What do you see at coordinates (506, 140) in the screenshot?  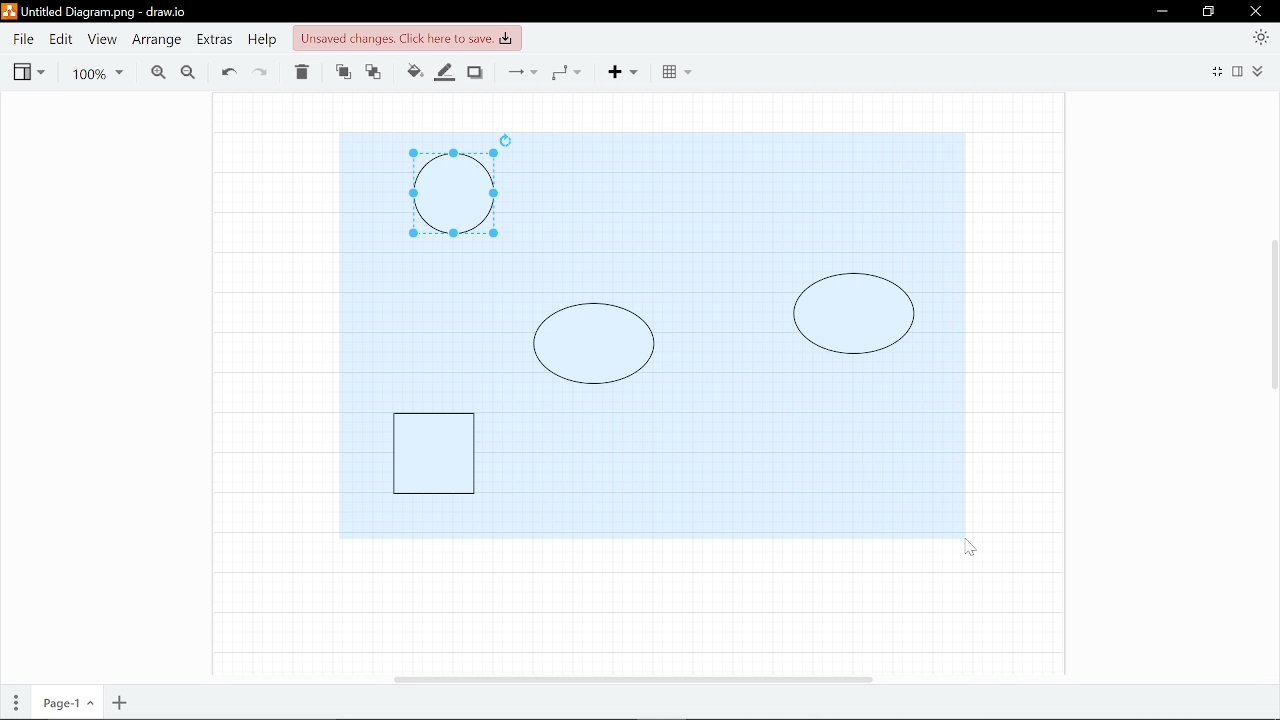 I see `Rotate` at bounding box center [506, 140].